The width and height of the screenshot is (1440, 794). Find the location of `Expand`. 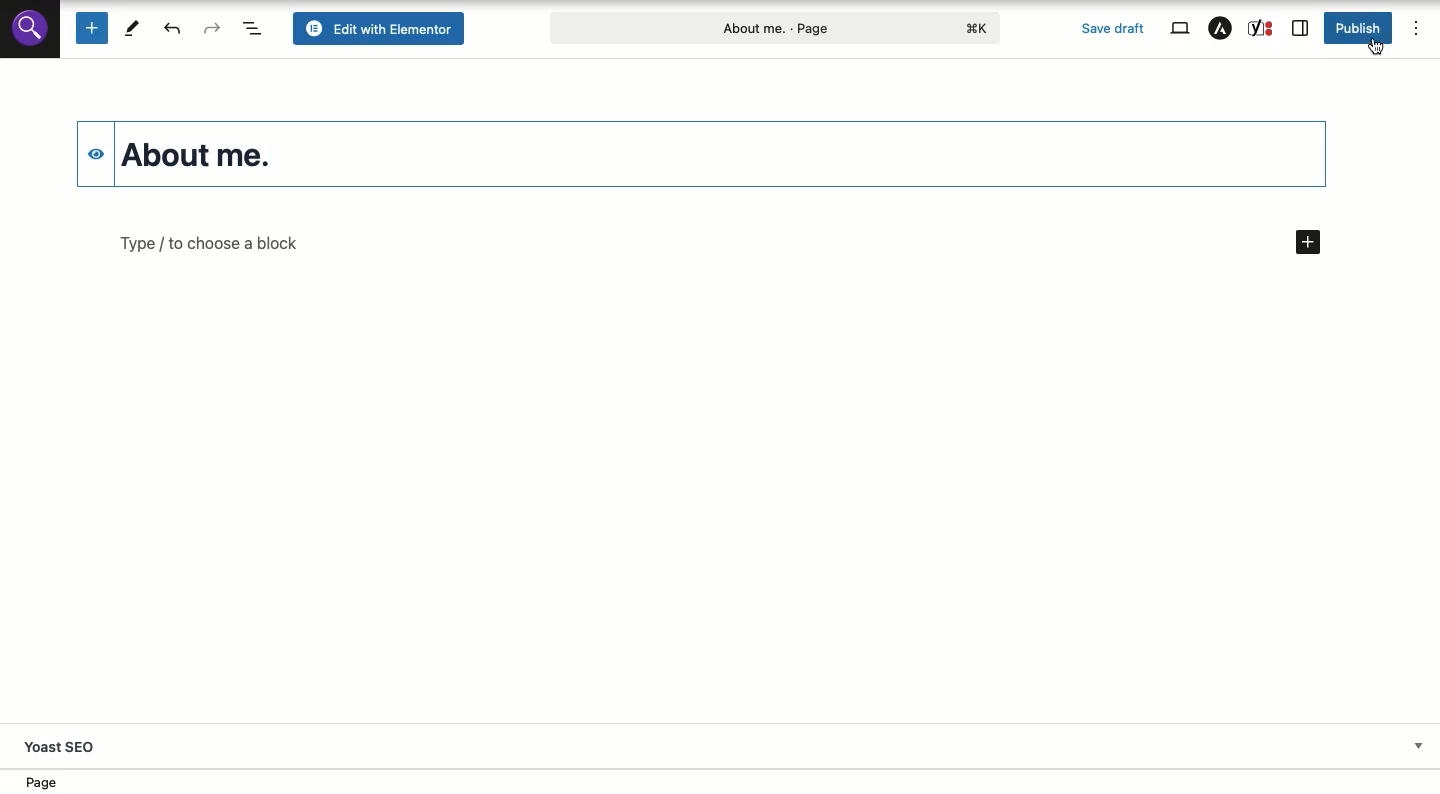

Expand is located at coordinates (1418, 745).